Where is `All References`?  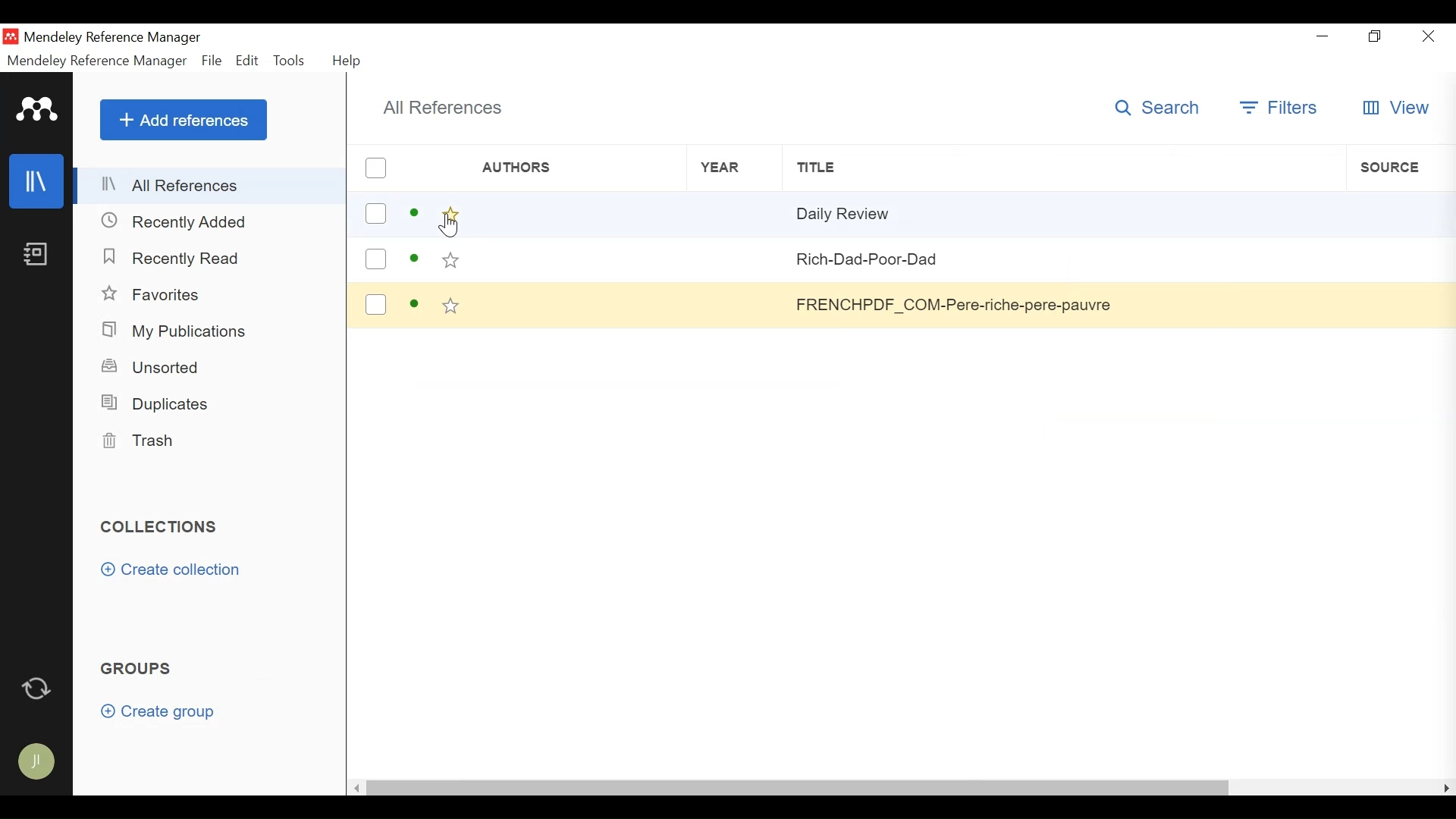
All References is located at coordinates (438, 107).